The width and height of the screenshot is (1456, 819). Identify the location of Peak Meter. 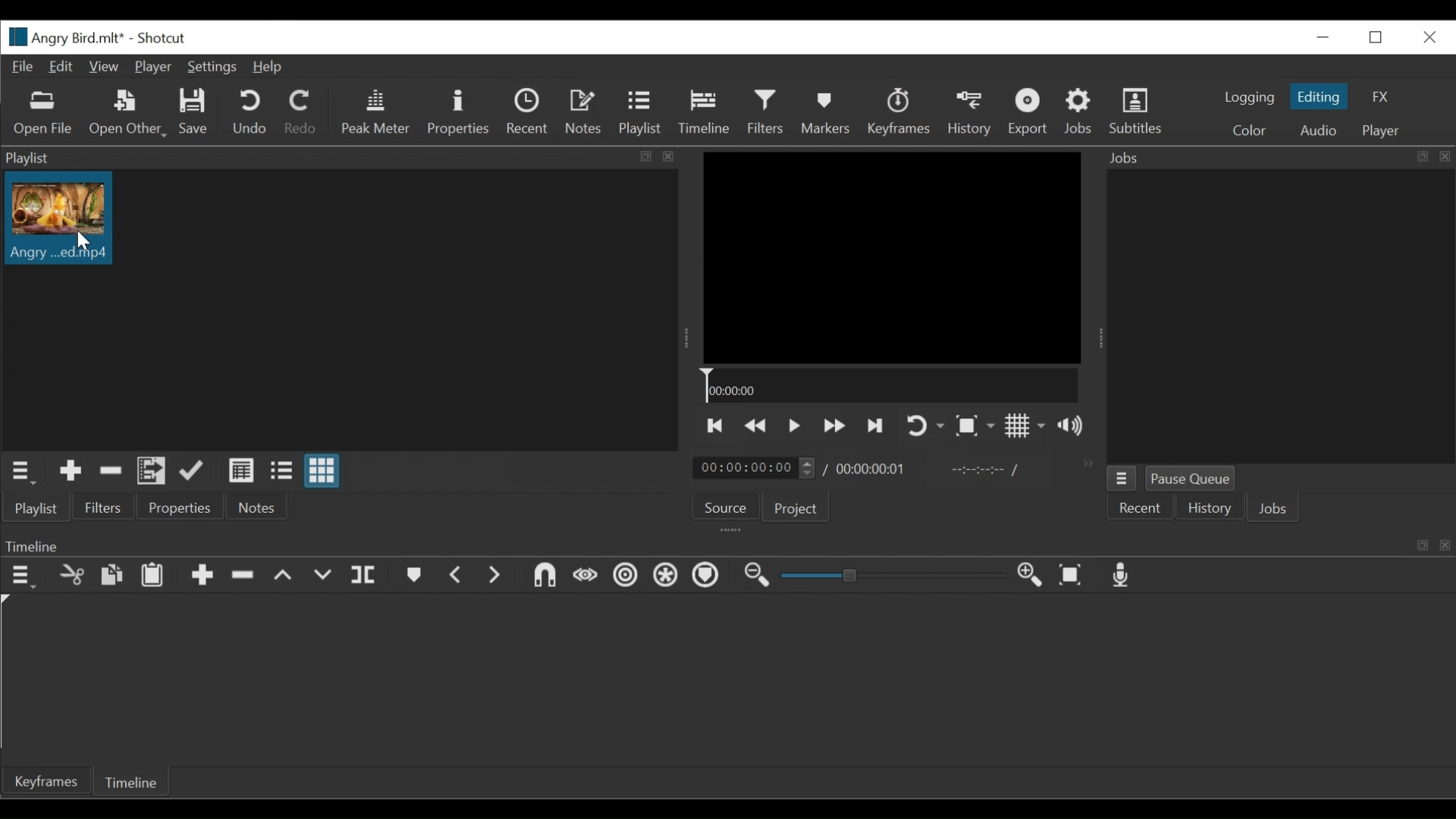
(376, 114).